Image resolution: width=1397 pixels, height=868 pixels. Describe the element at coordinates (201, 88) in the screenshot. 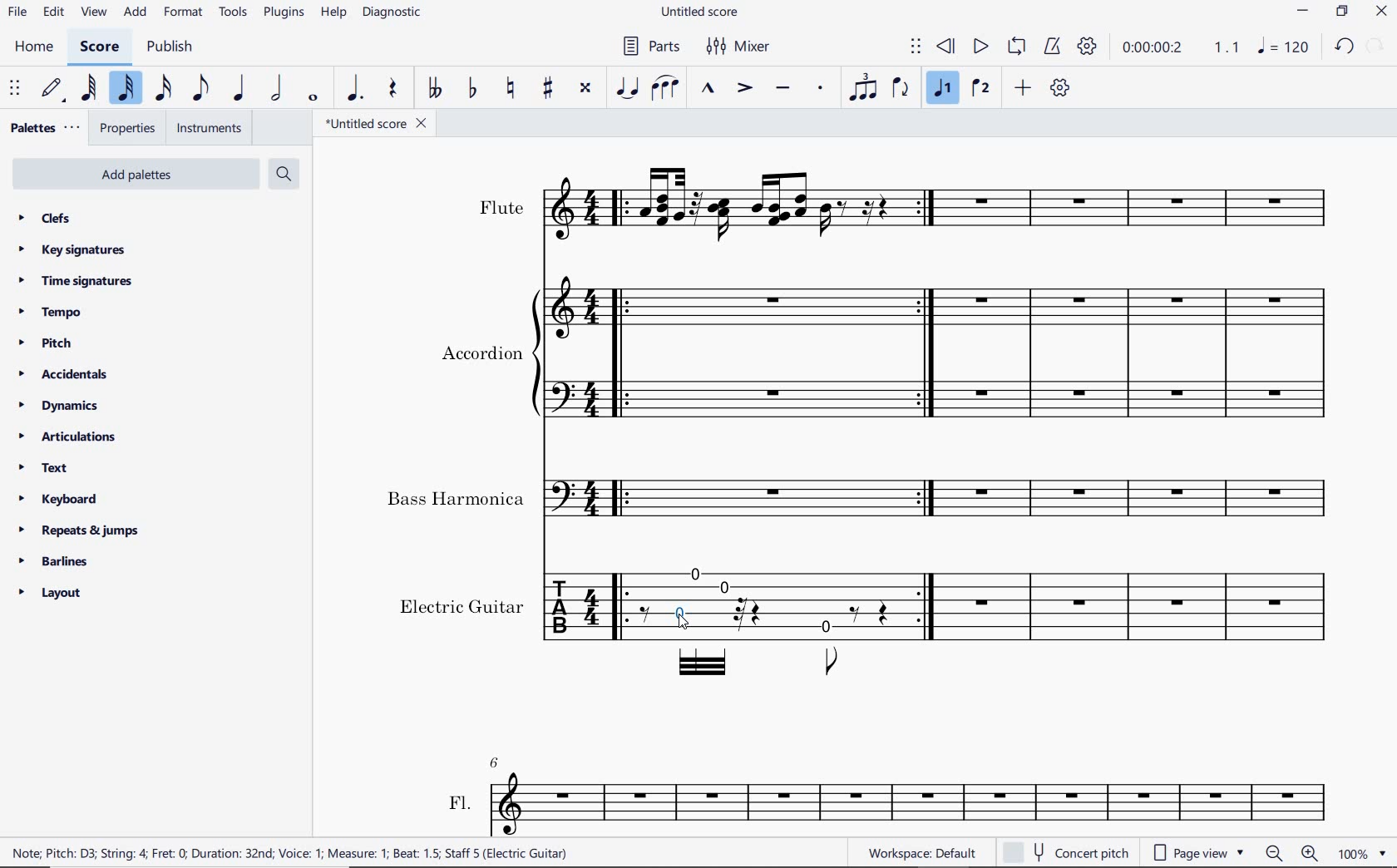

I see `eighth note` at that location.